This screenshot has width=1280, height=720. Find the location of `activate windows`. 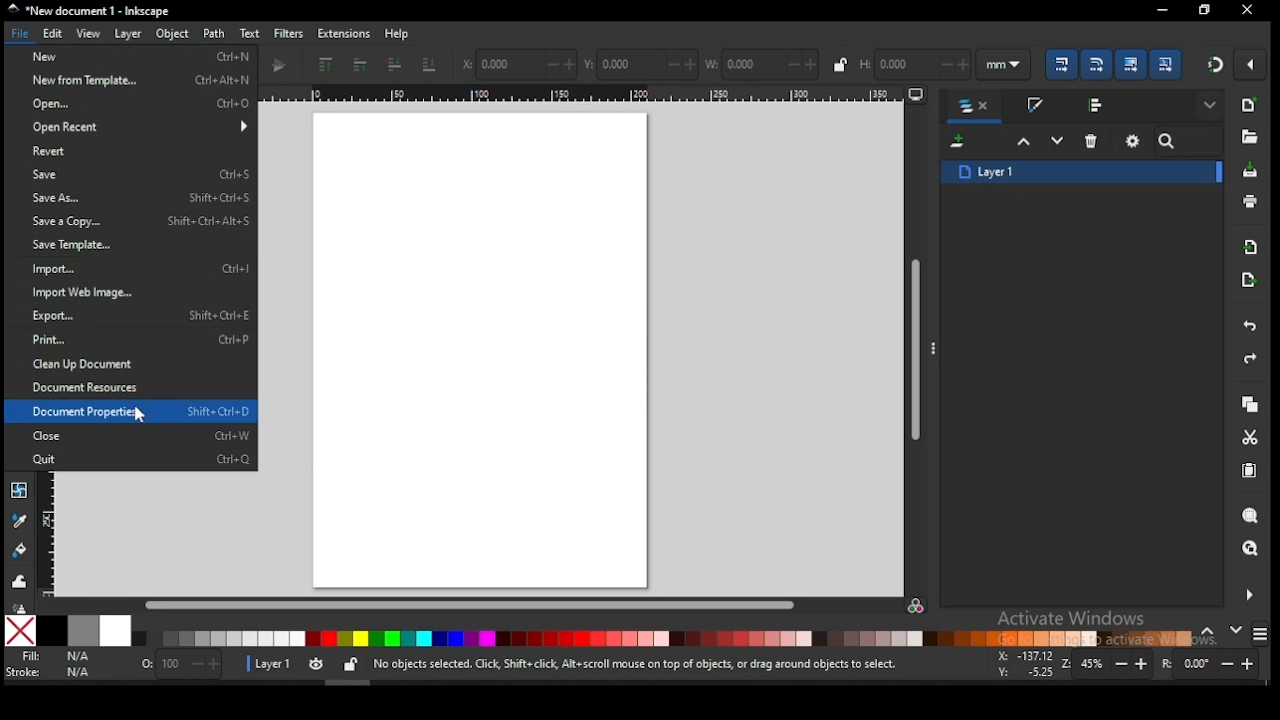

activate windows is located at coordinates (1069, 620).